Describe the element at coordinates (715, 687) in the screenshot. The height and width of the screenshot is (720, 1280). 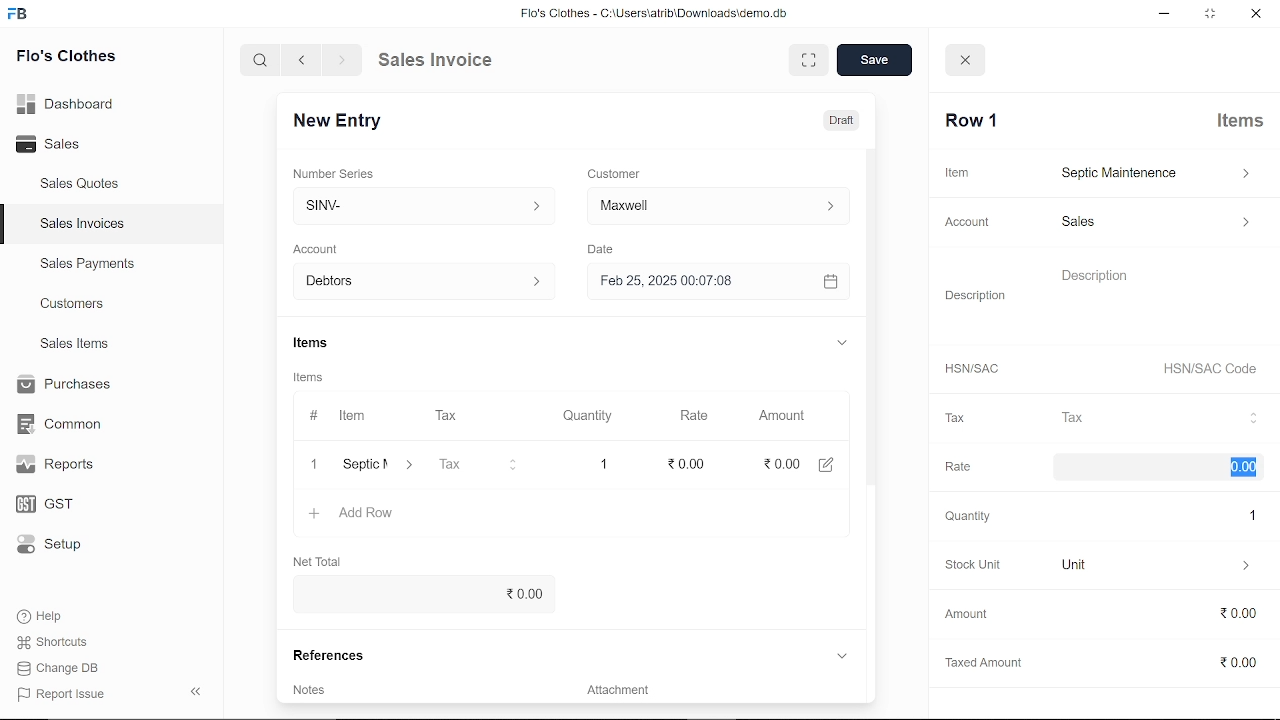
I see `Add attachment` at that location.